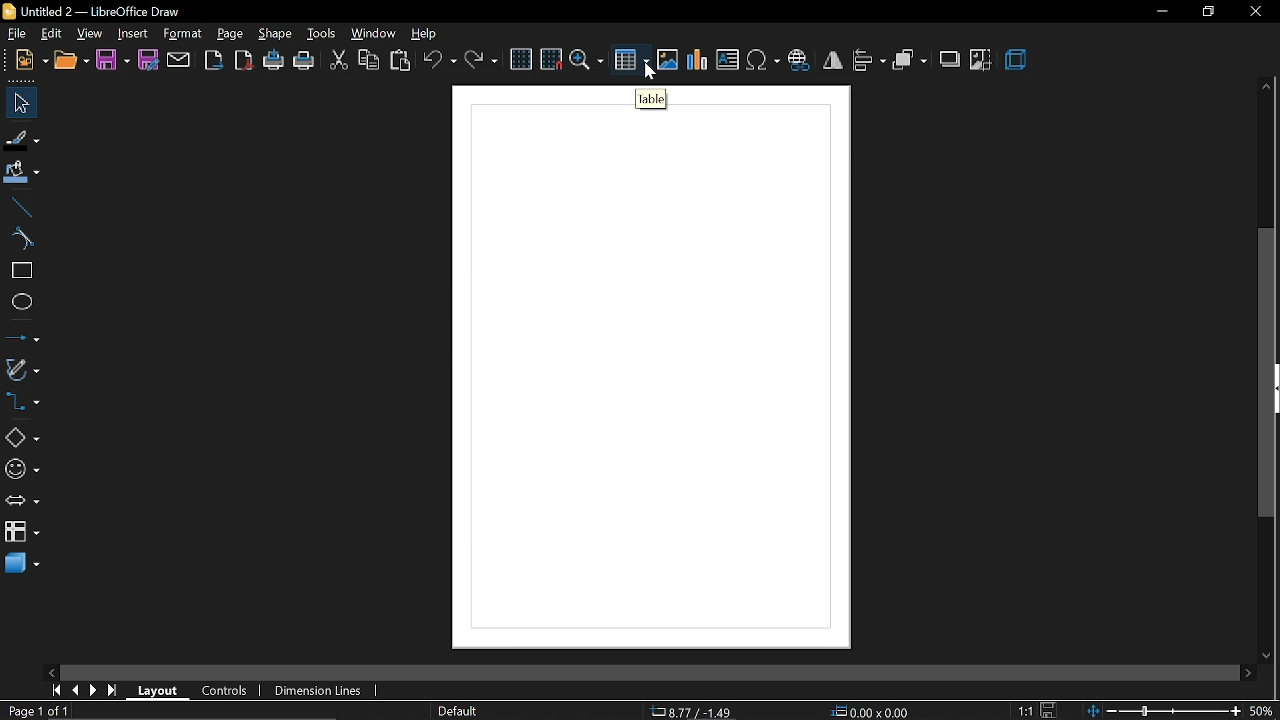 The image size is (1280, 720). Describe the element at coordinates (71, 62) in the screenshot. I see `open` at that location.